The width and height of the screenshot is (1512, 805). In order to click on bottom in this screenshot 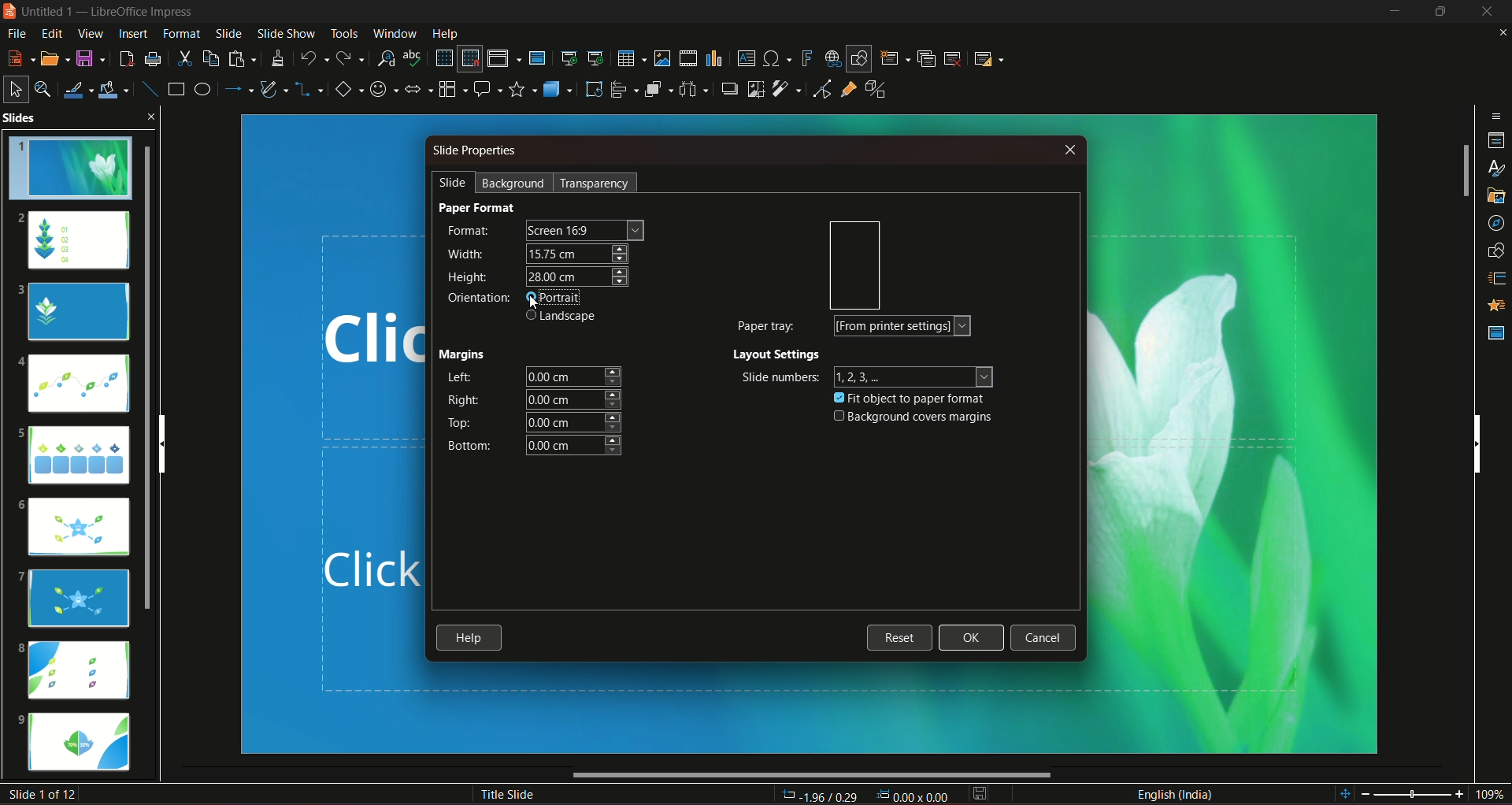, I will do `click(467, 446)`.